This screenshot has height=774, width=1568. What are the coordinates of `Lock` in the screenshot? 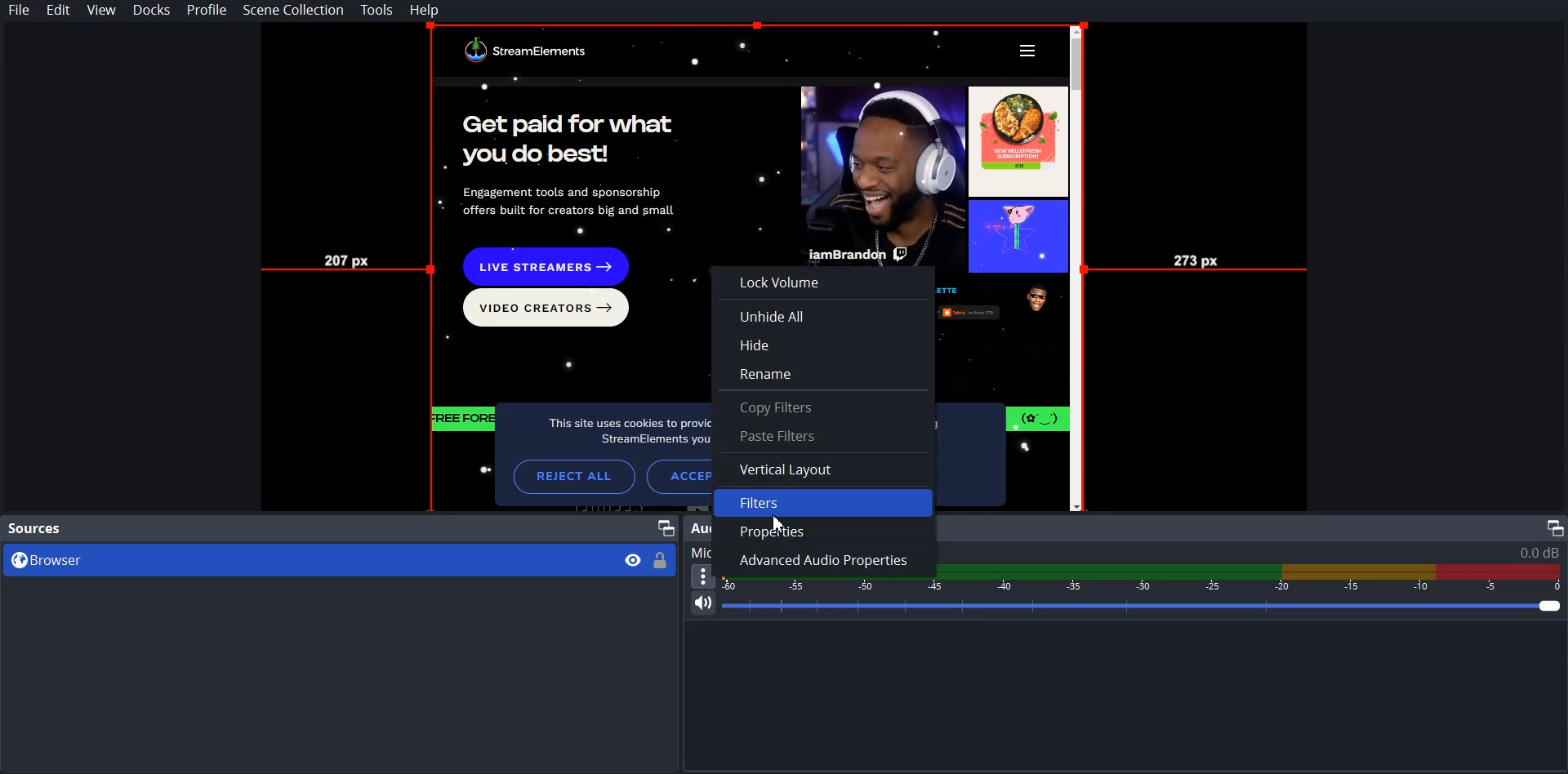 It's located at (661, 560).